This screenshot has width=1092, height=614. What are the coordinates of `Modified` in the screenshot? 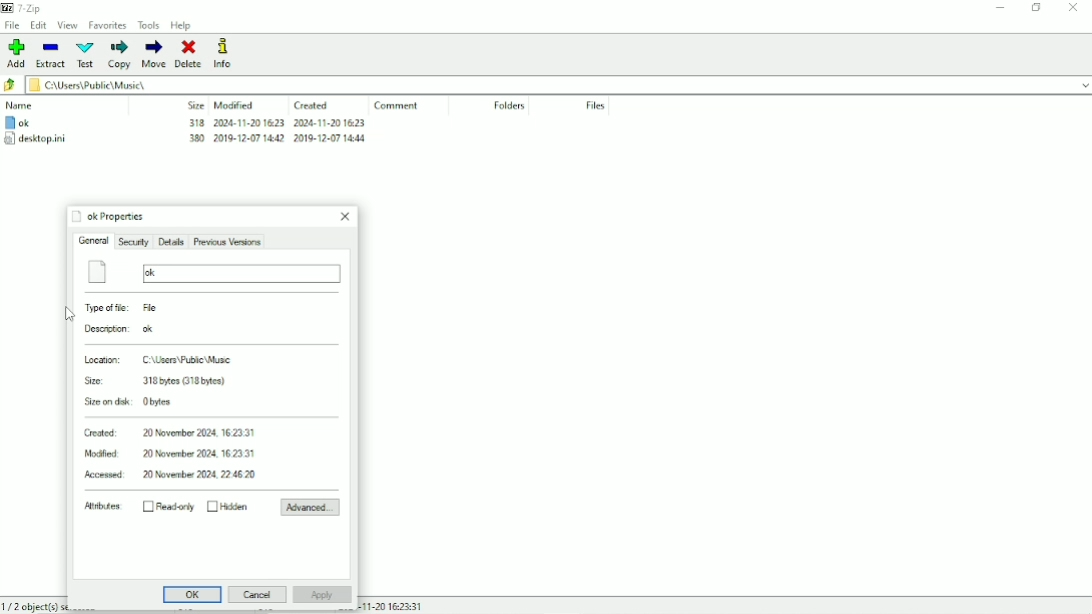 It's located at (235, 106).